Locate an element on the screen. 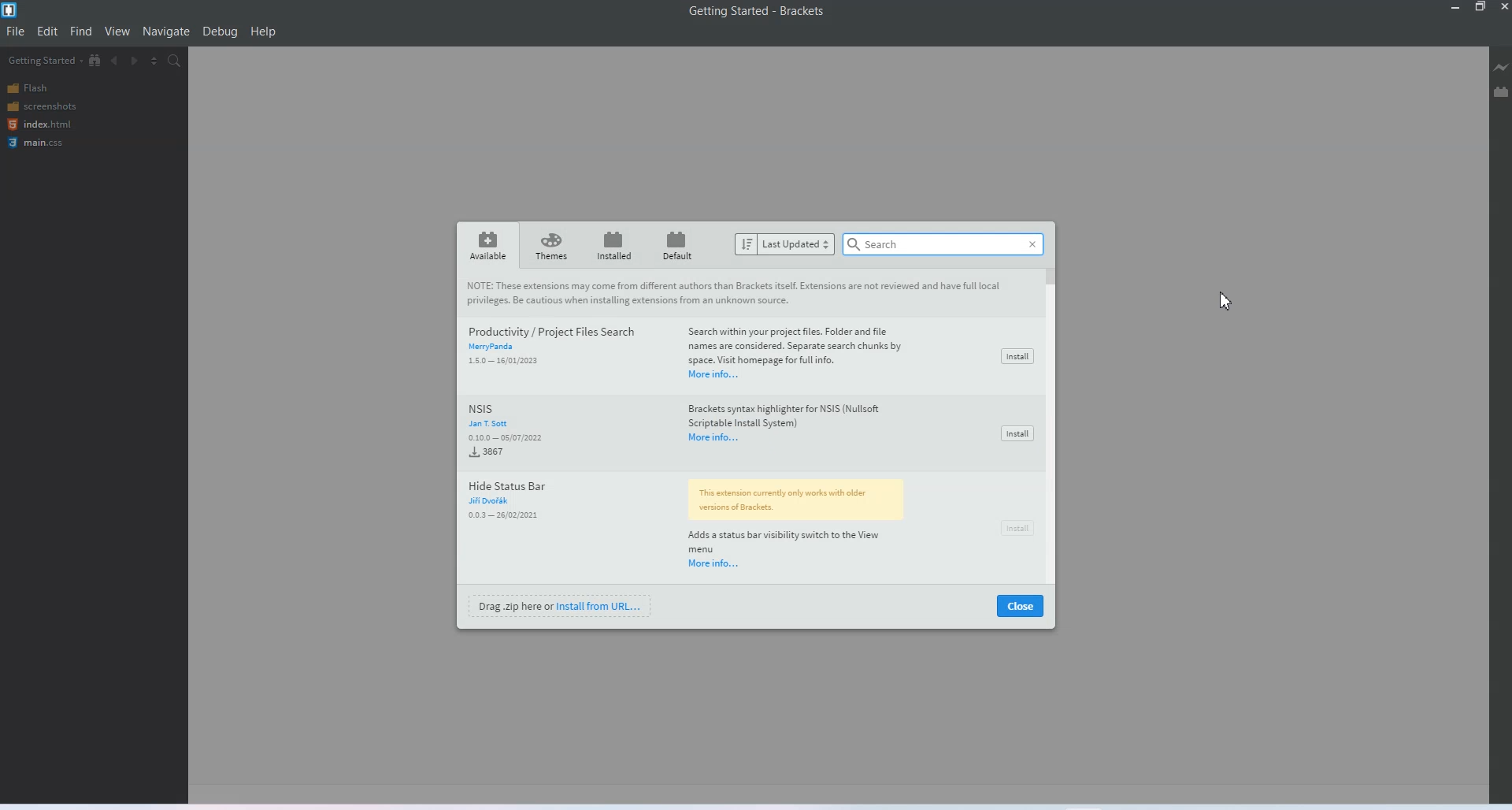  Maximize is located at coordinates (1480, 9).